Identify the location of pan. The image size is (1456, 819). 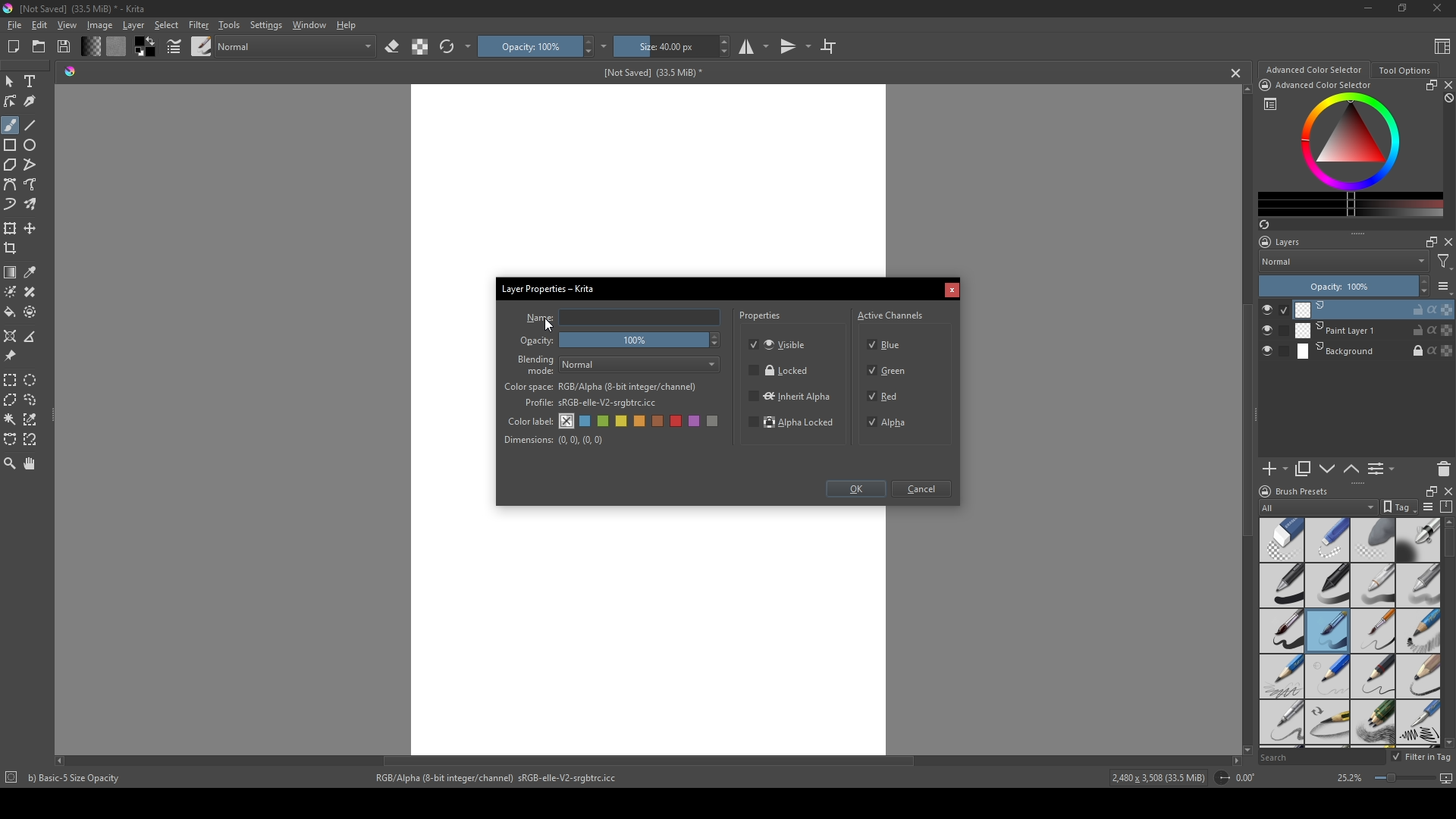
(31, 463).